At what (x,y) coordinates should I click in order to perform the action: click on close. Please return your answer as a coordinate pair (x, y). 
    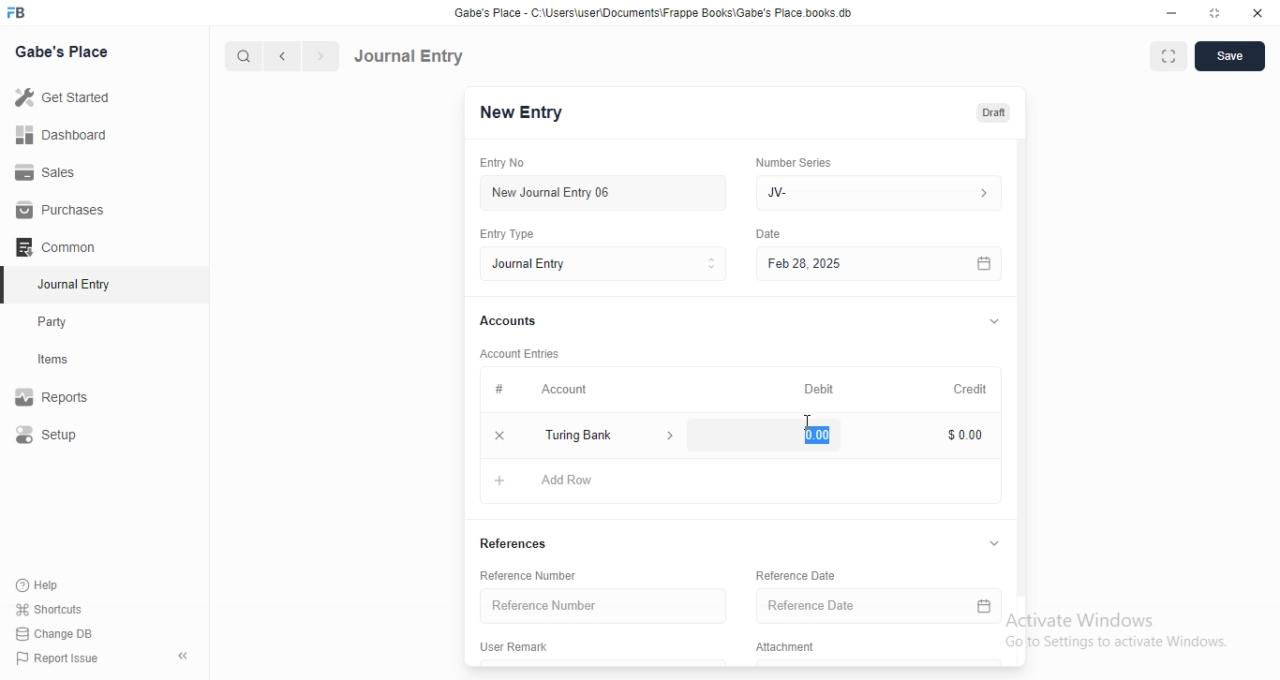
    Looking at the image, I should click on (498, 436).